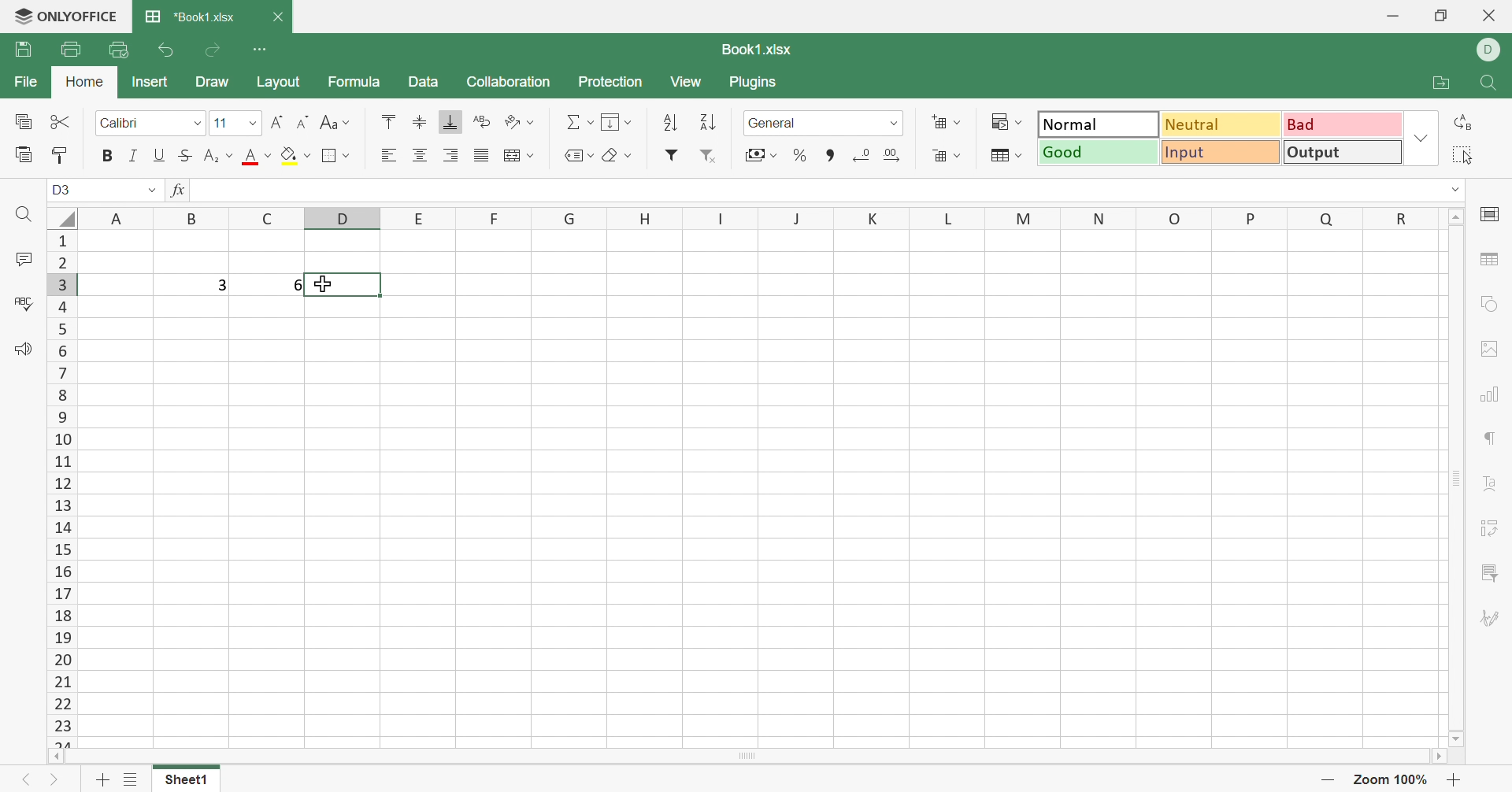 The height and width of the screenshot is (792, 1512). Describe the element at coordinates (235, 121) in the screenshot. I see `Font size` at that location.